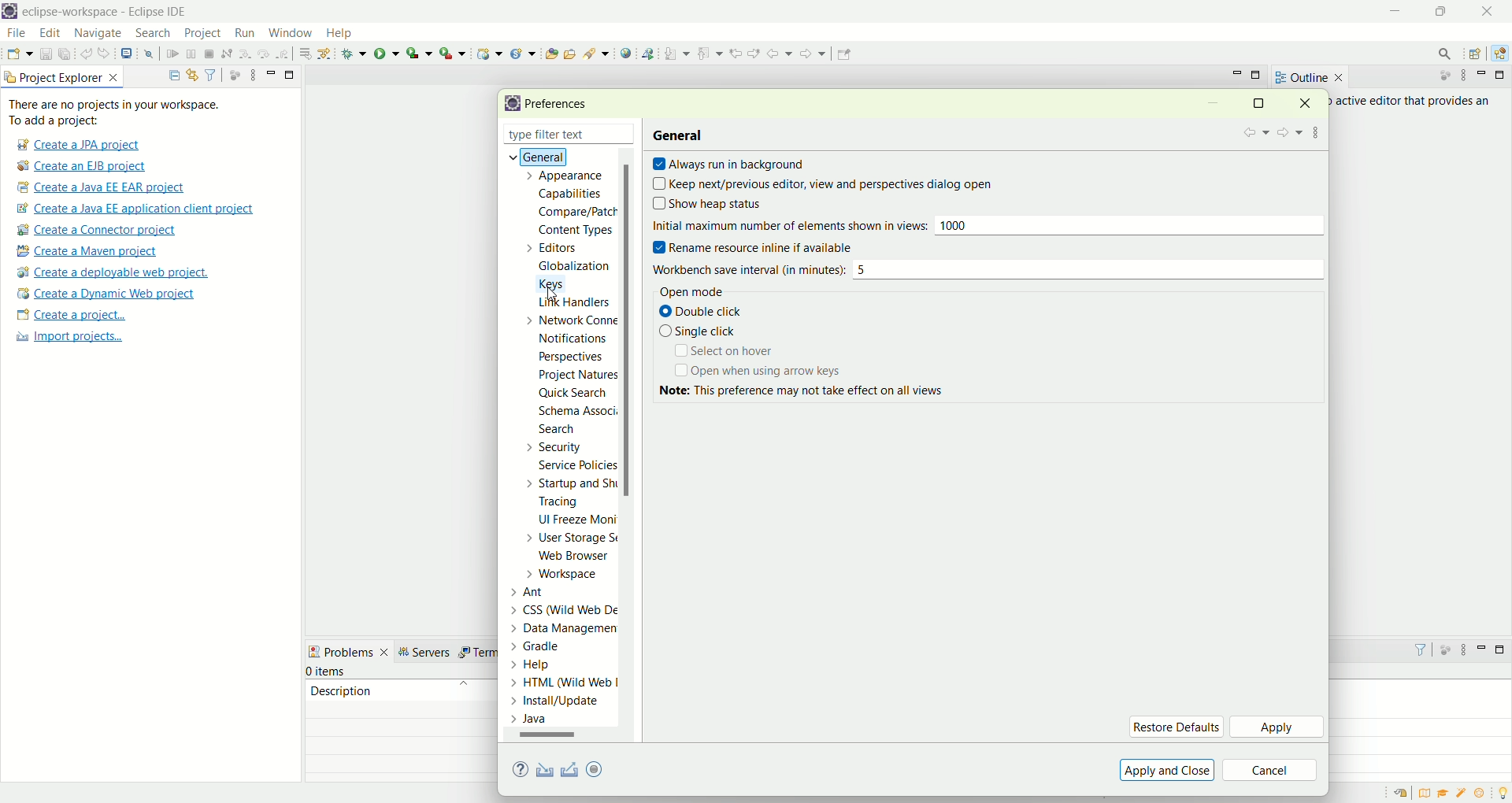 The width and height of the screenshot is (1512, 803). Describe the element at coordinates (561, 282) in the screenshot. I see `keys` at that location.